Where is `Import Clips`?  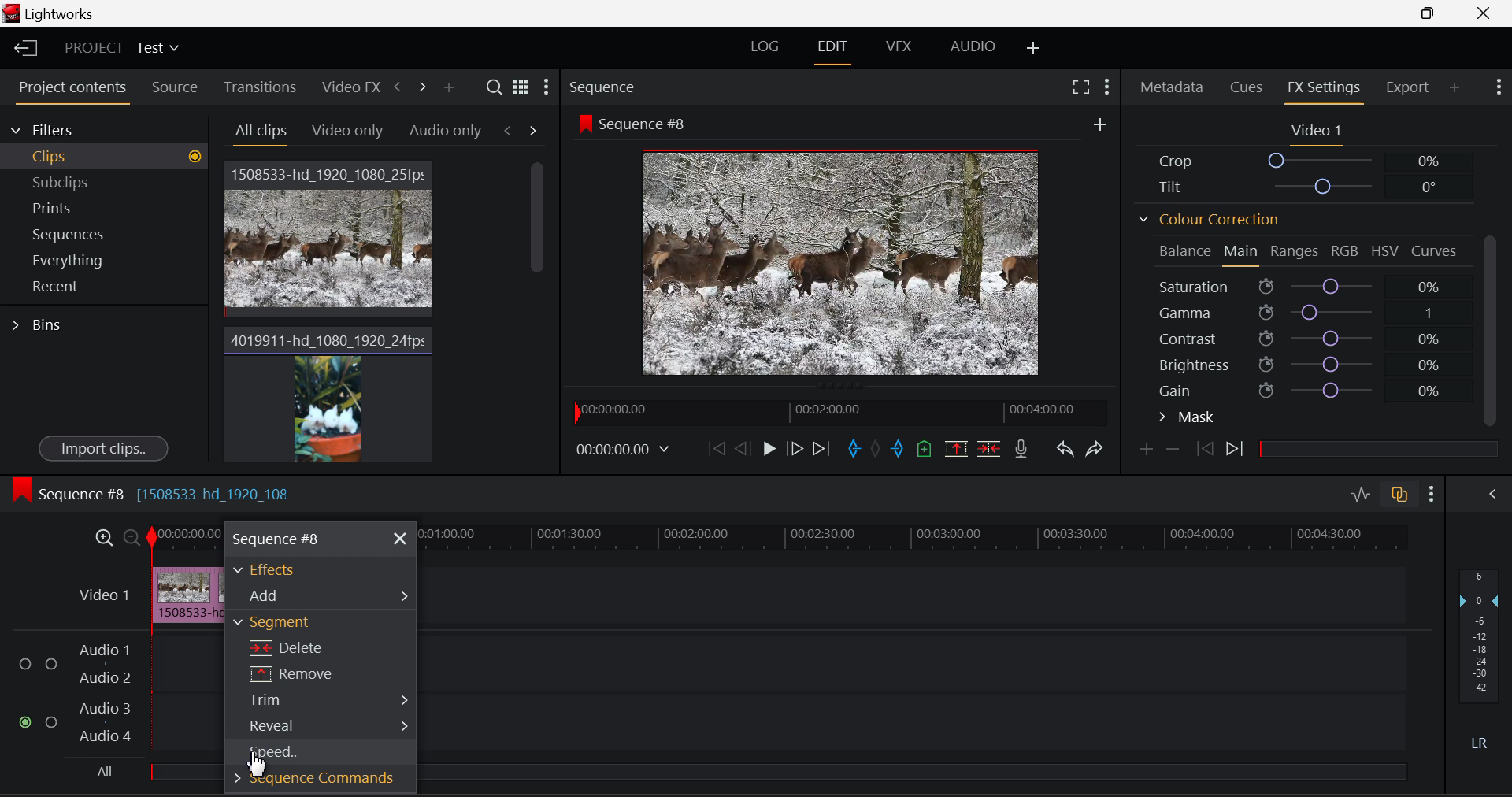
Import Clips is located at coordinates (106, 448).